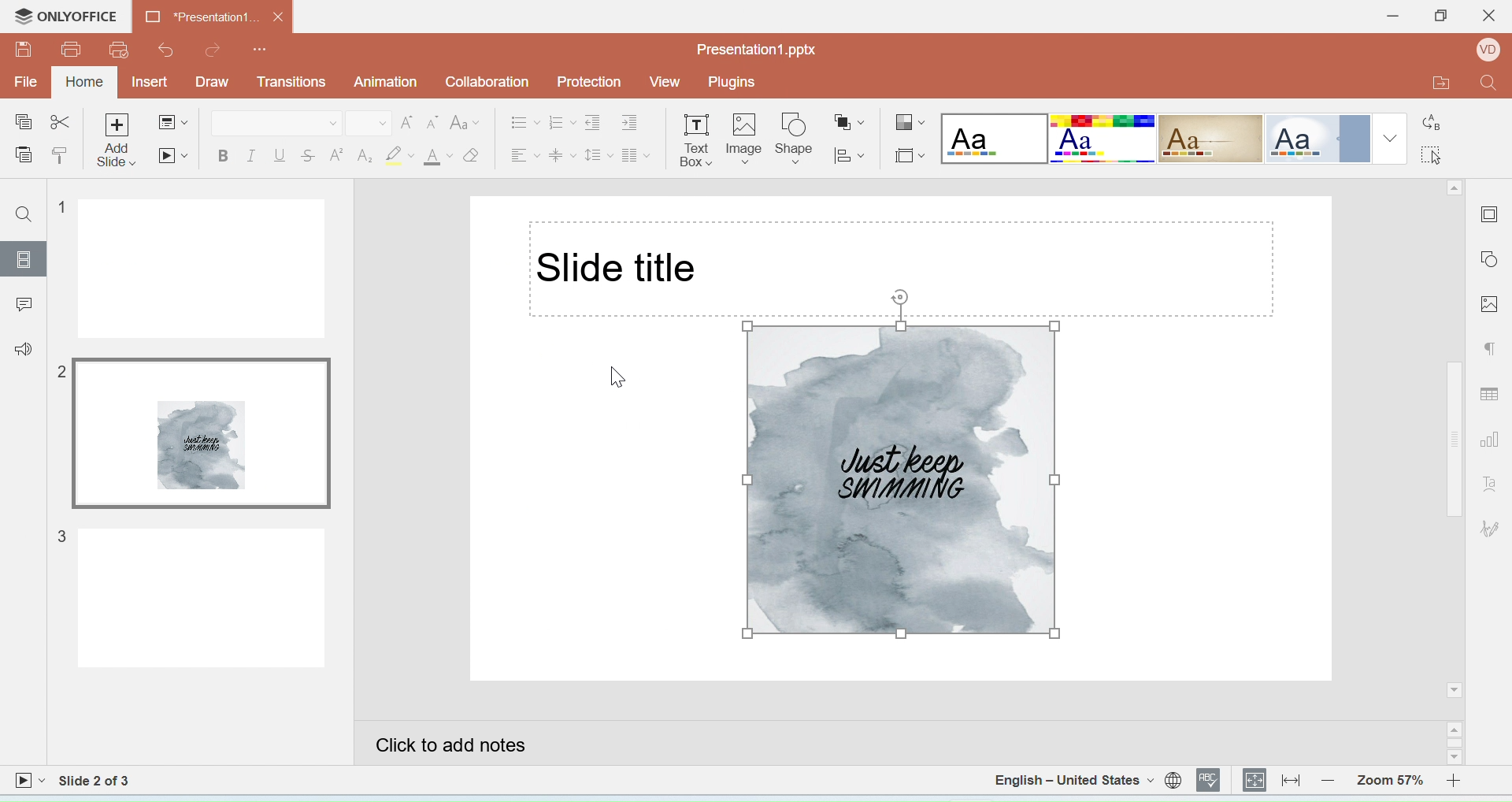 This screenshot has height=802, width=1512. I want to click on Subscript, so click(365, 156).